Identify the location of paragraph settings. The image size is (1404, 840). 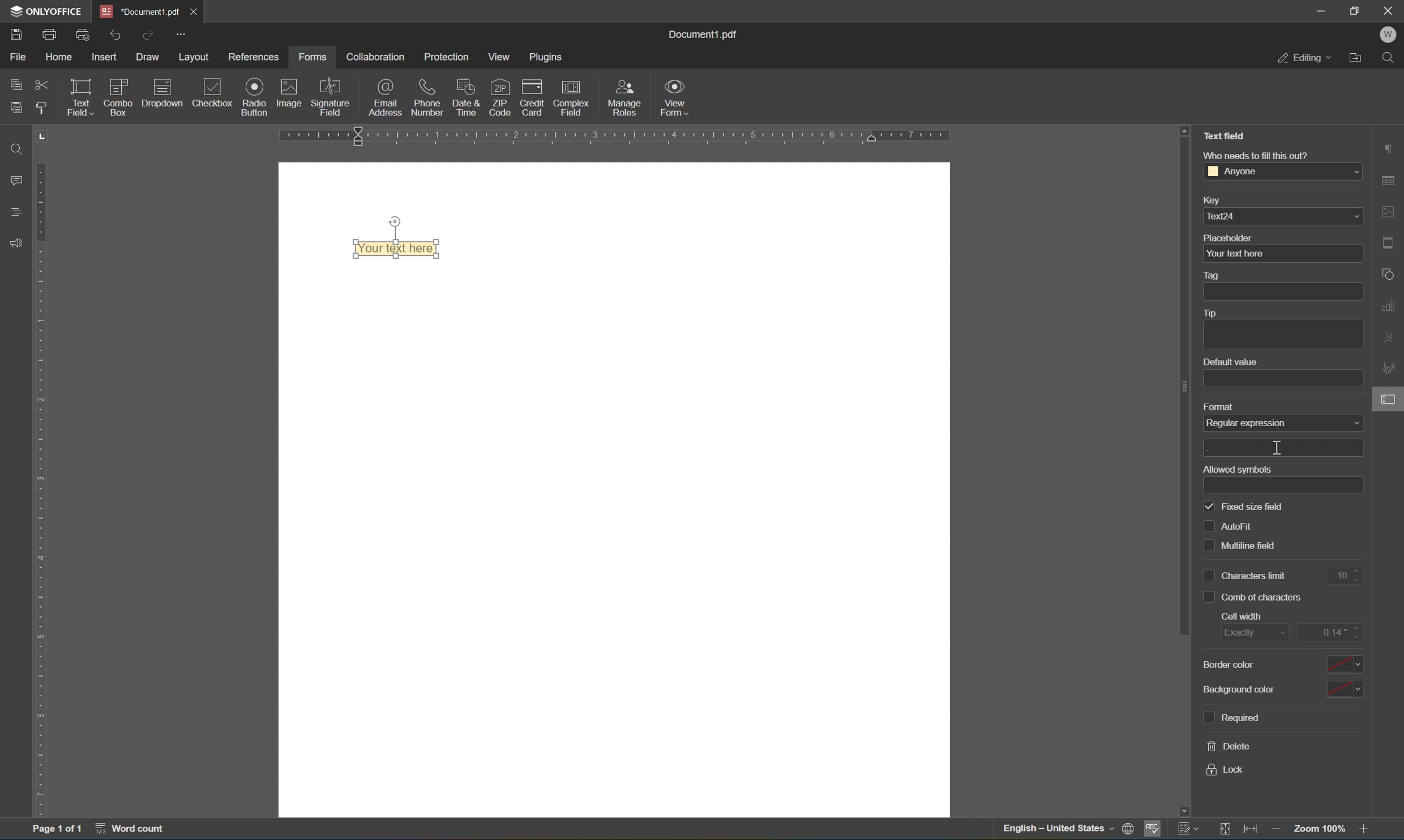
(1389, 147).